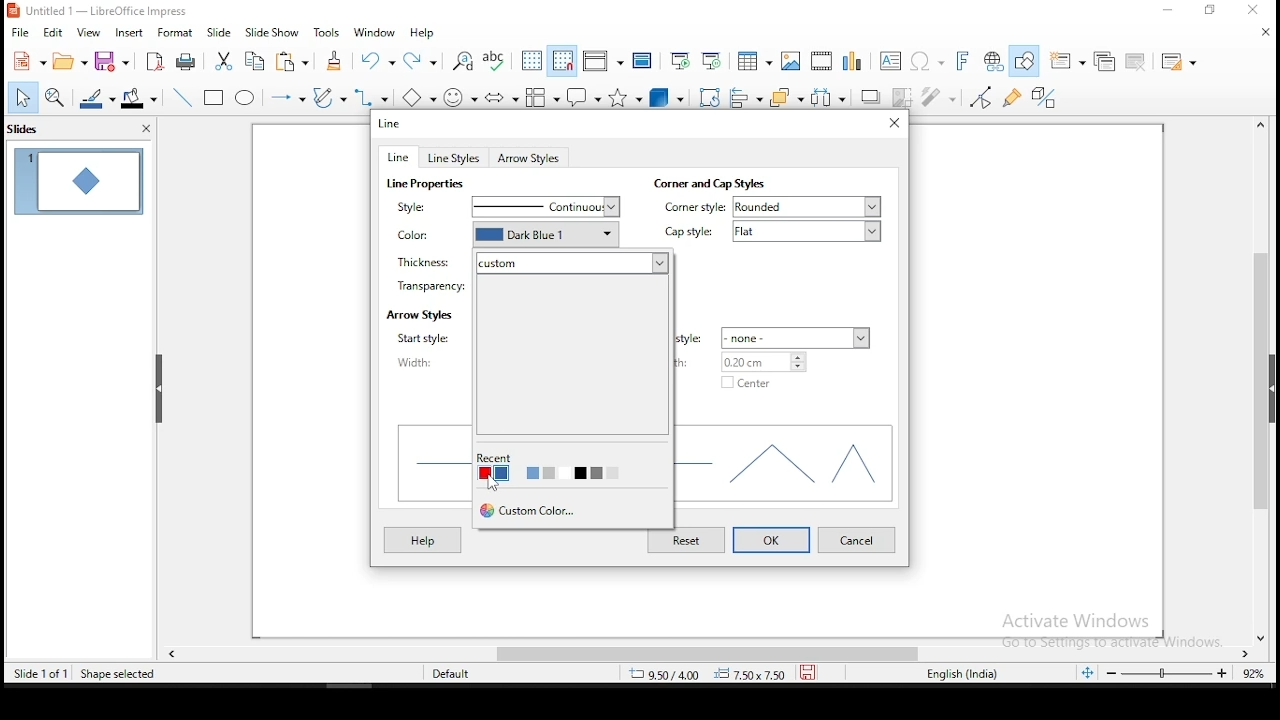 This screenshot has height=720, width=1280. What do you see at coordinates (1169, 11) in the screenshot?
I see `minimize` at bounding box center [1169, 11].